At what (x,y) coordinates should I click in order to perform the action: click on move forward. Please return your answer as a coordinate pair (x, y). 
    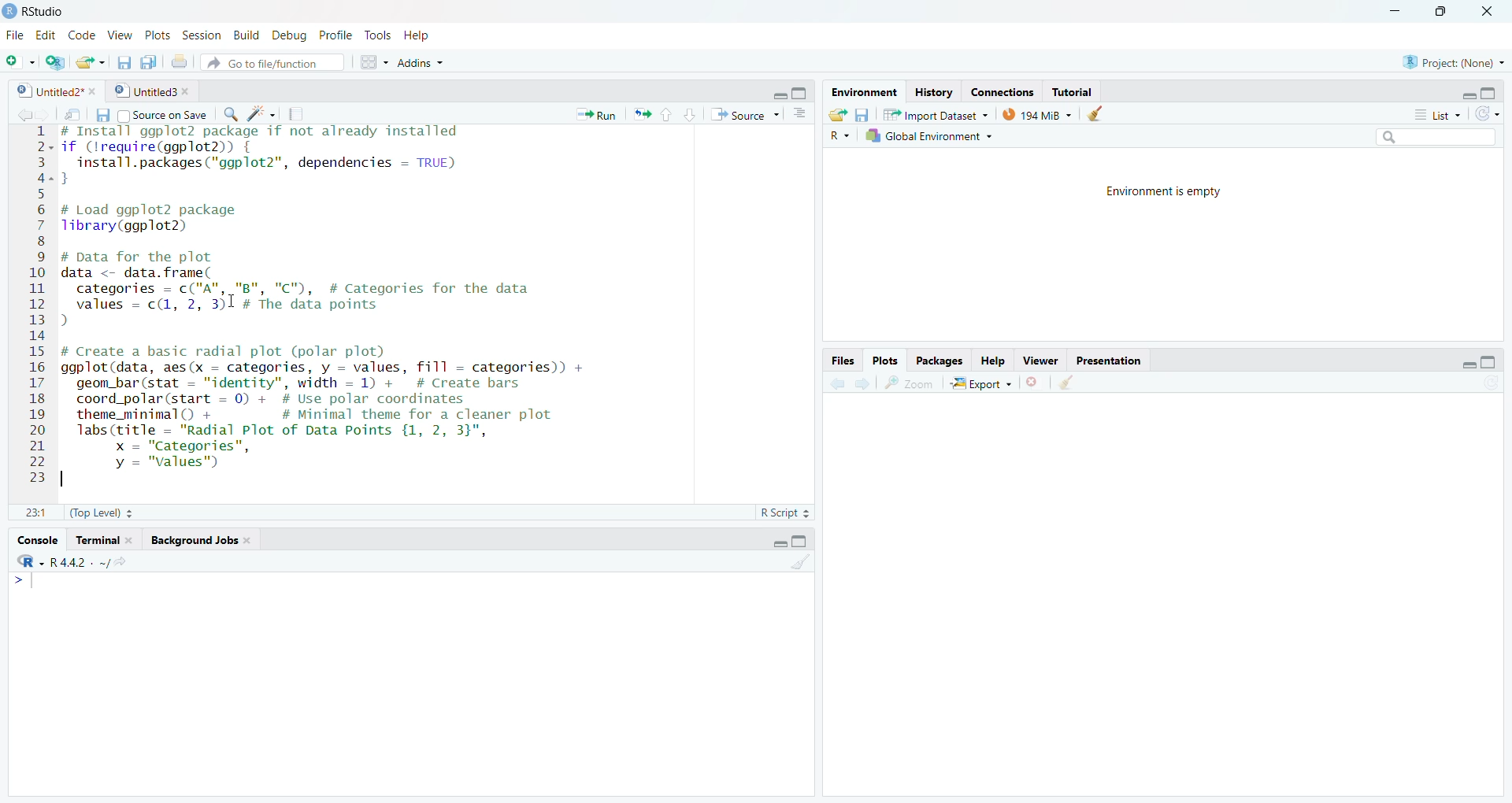
    Looking at the image, I should click on (45, 116).